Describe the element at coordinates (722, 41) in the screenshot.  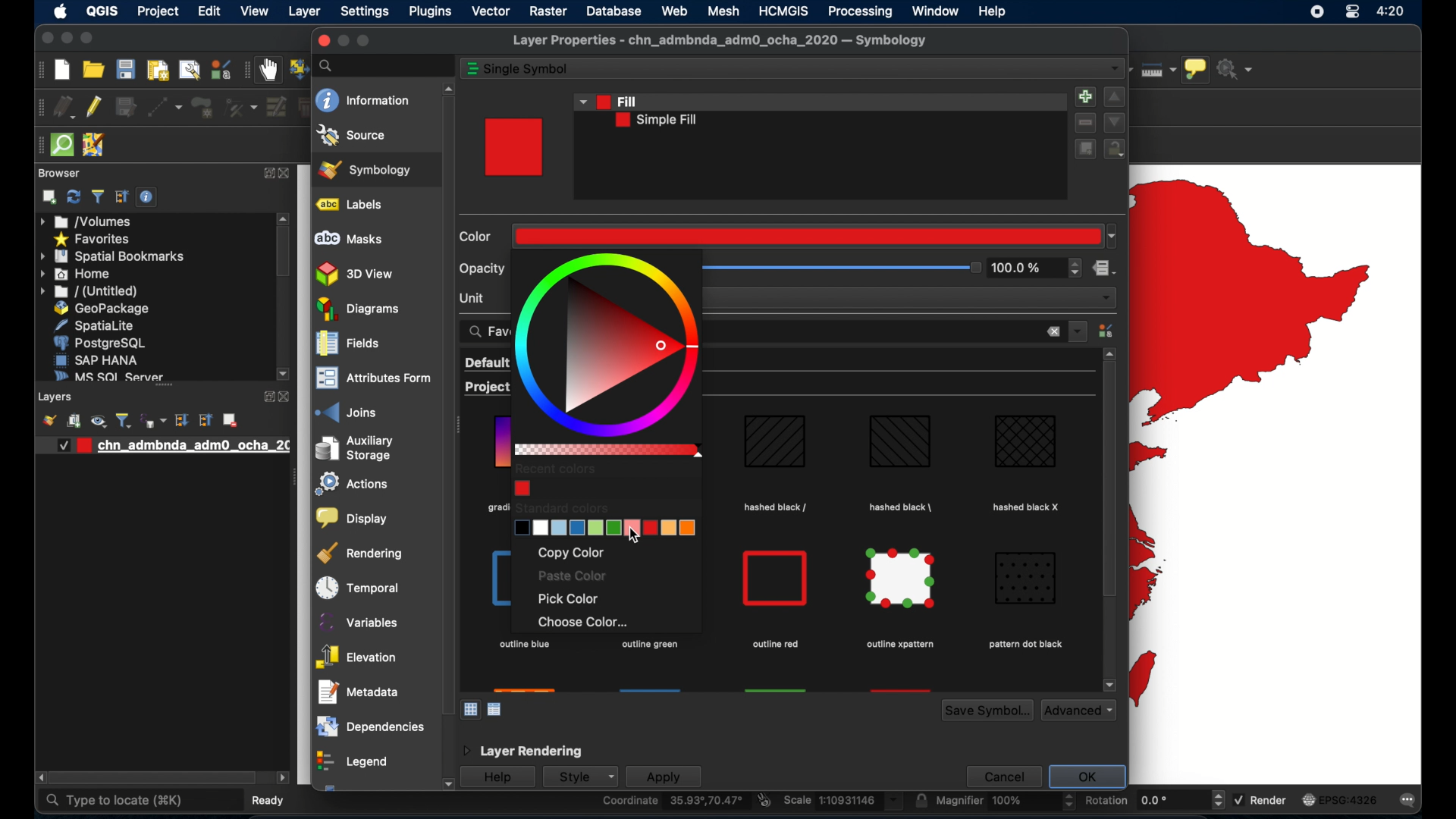
I see `Layer Properties - chn_admbnda_admO_ocha_2020 — Symbology` at that location.